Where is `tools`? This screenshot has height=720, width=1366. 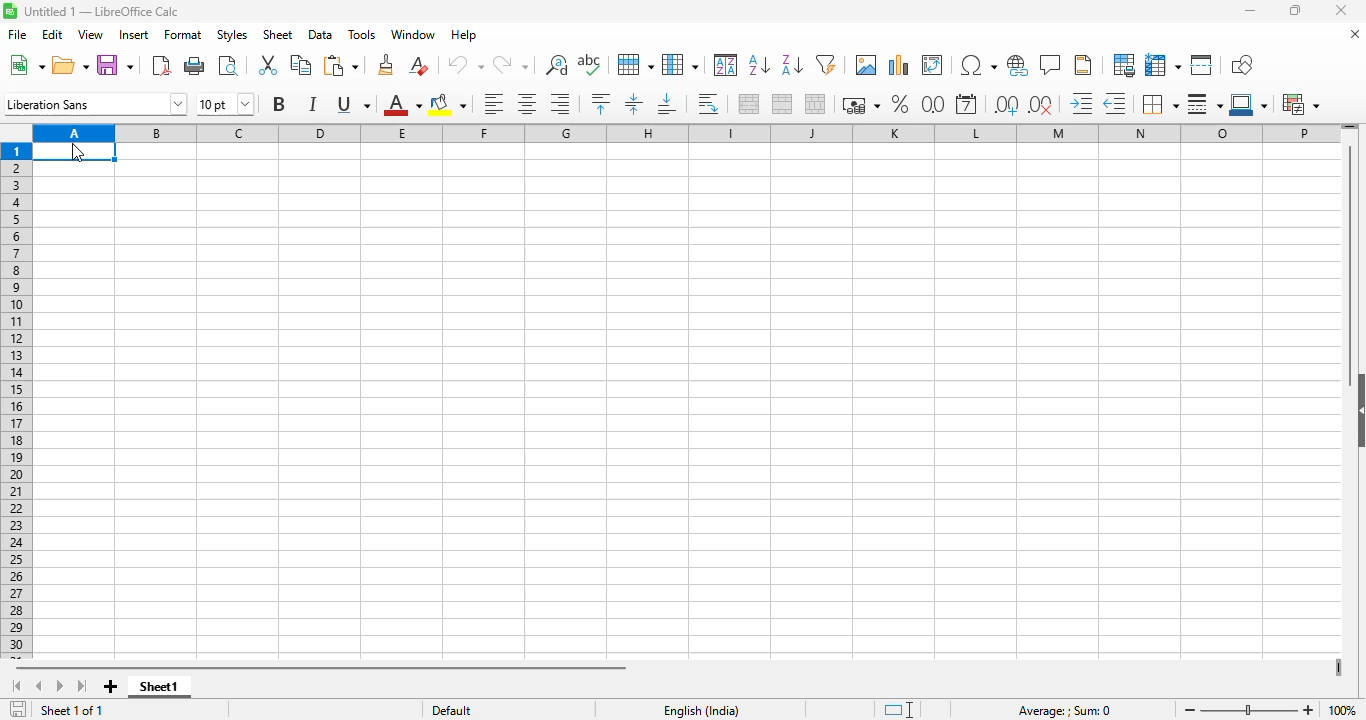
tools is located at coordinates (361, 35).